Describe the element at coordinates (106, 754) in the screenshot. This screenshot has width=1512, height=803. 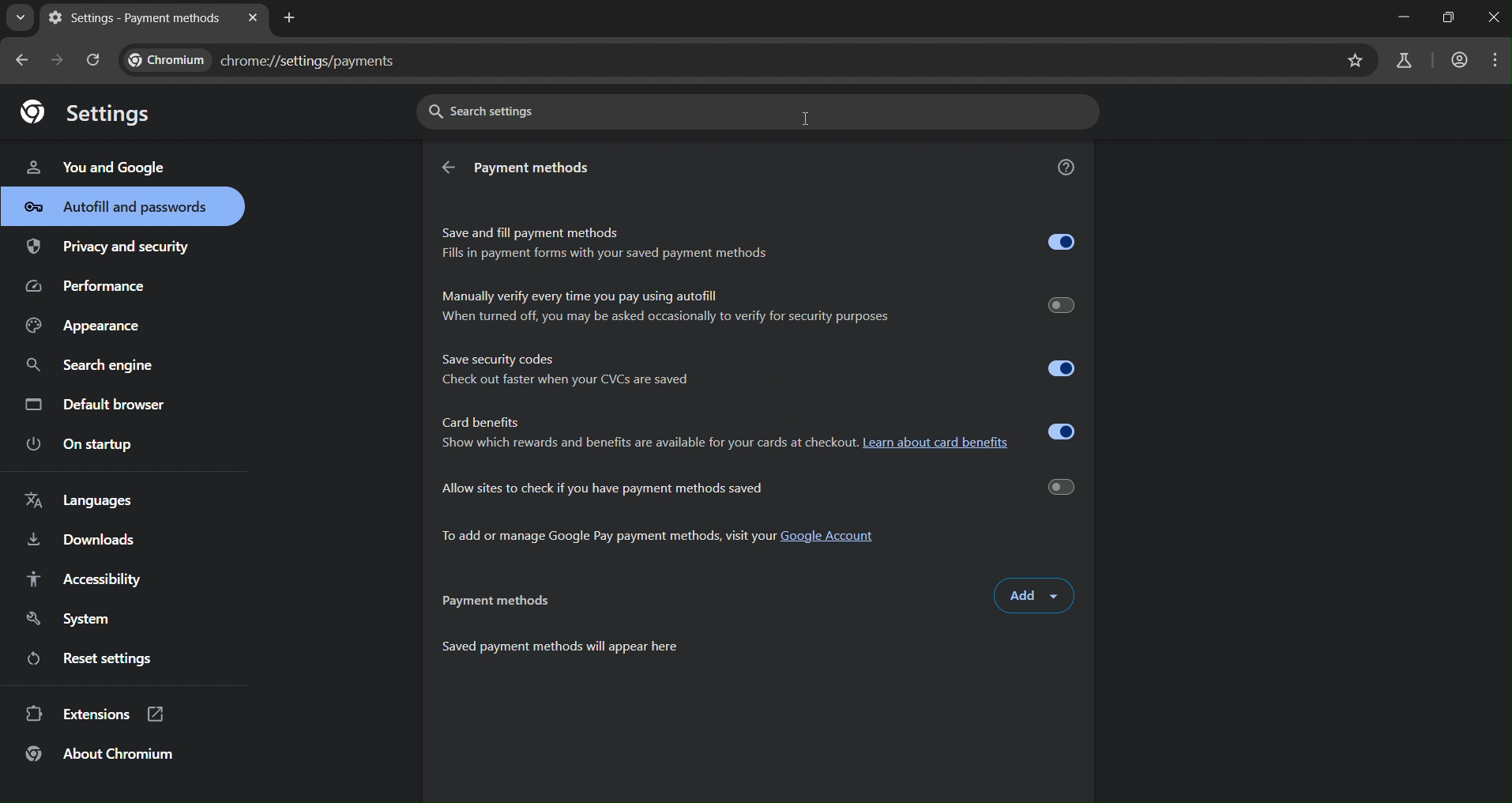
I see `about chromium` at that location.